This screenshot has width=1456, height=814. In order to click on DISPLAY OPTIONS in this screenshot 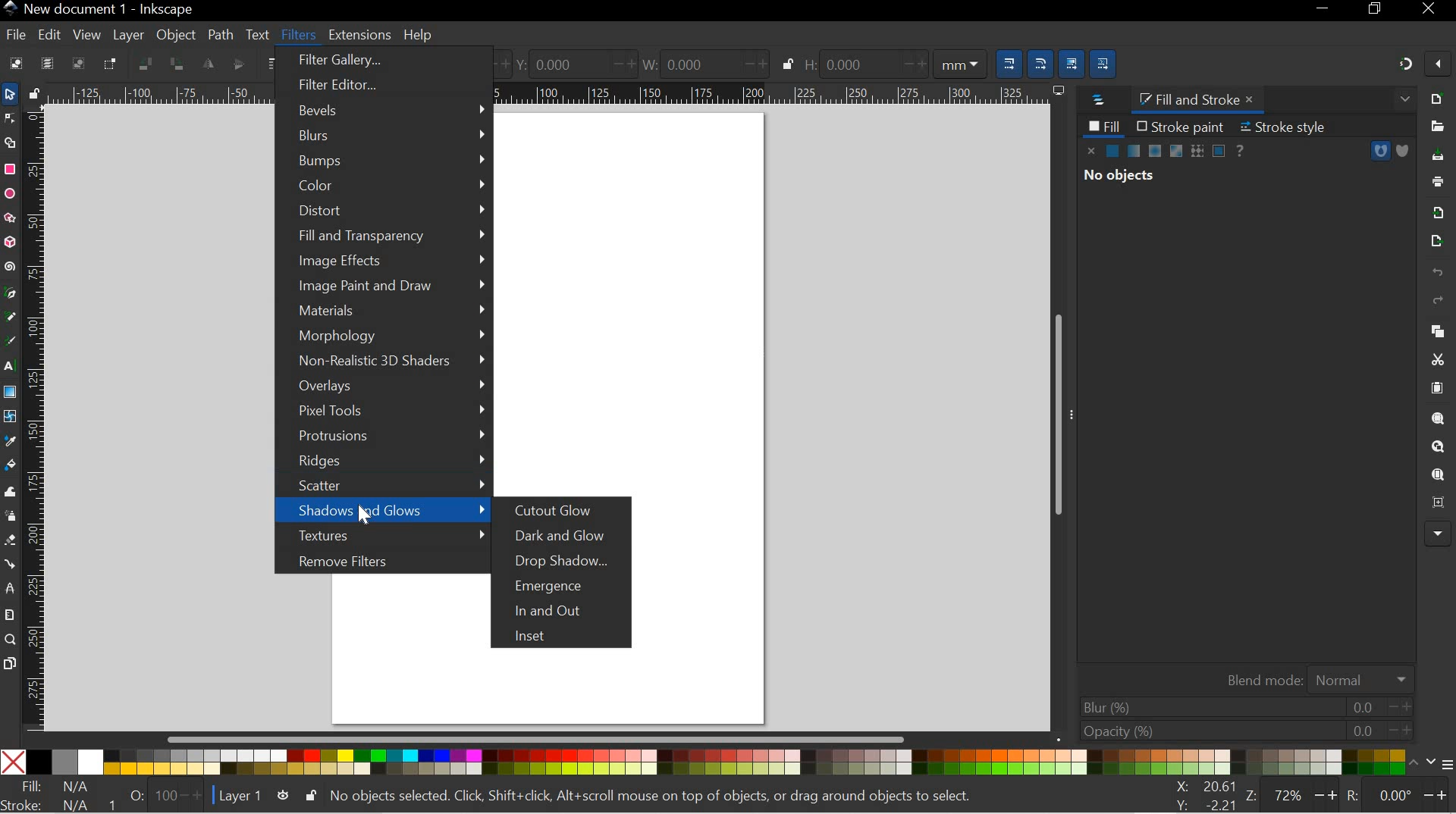, I will do `click(1057, 90)`.